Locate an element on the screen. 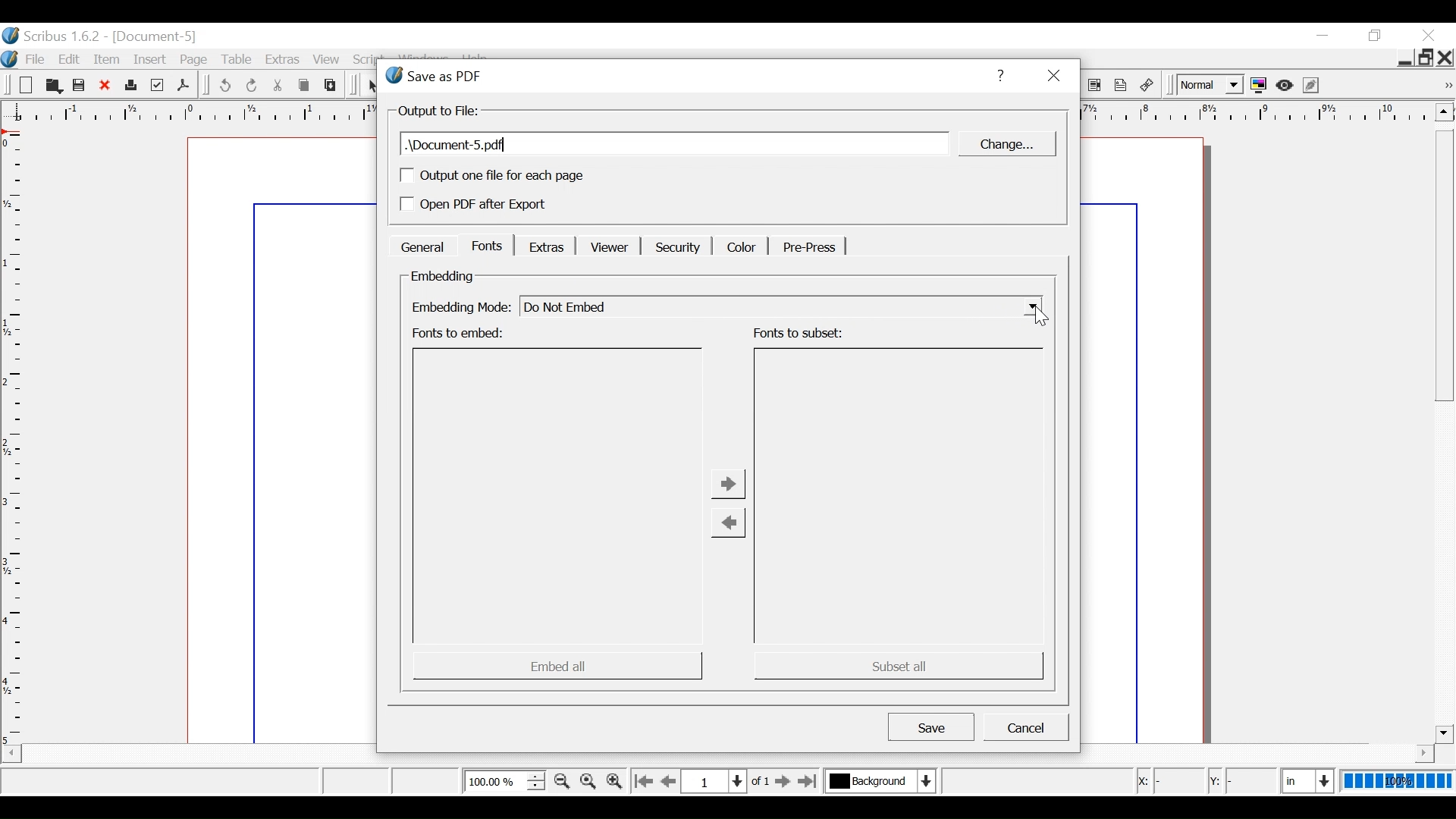 The height and width of the screenshot is (819, 1456). Fonts is located at coordinates (486, 245).